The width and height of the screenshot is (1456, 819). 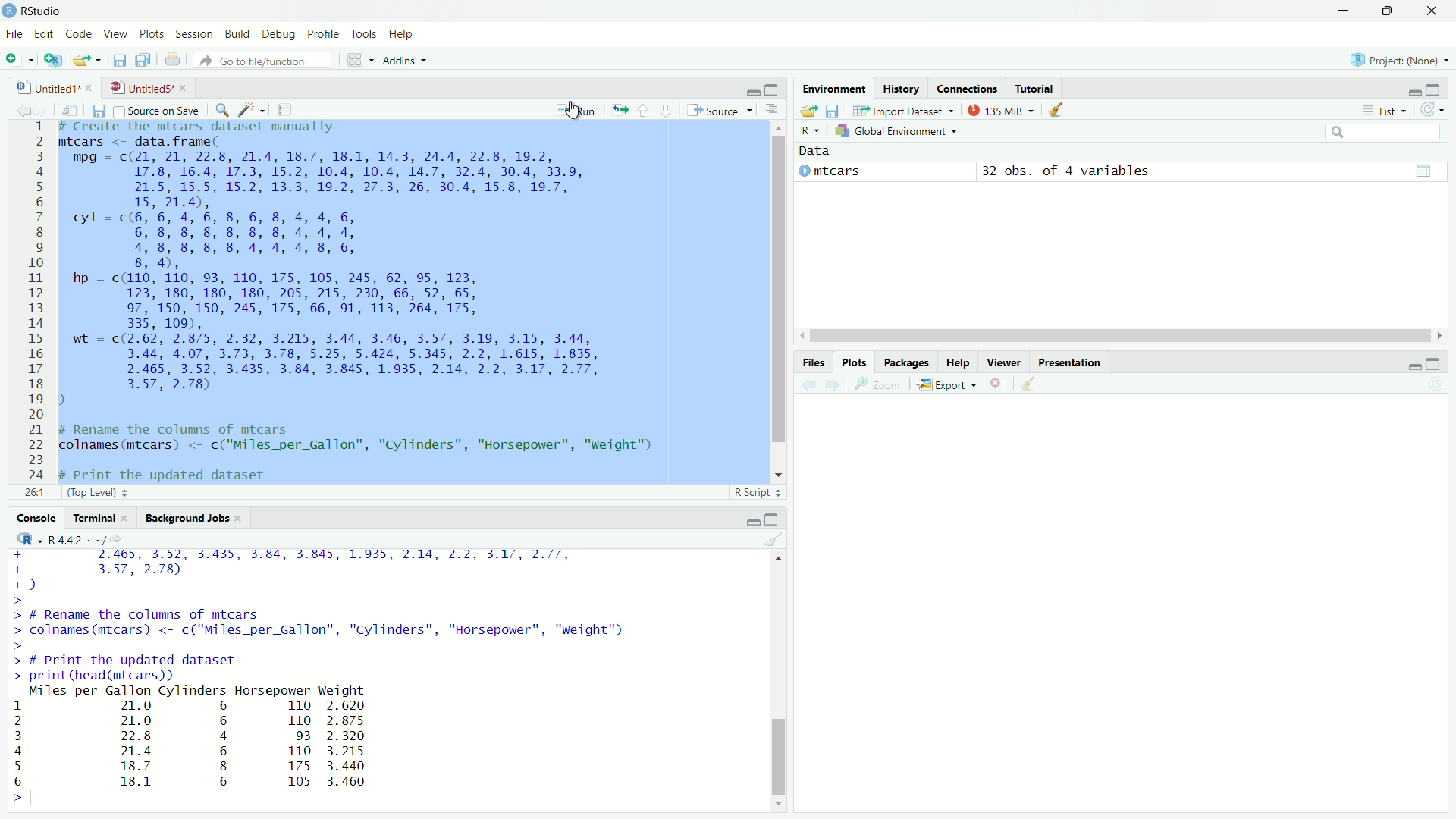 I want to click on zoom, so click(x=880, y=385).